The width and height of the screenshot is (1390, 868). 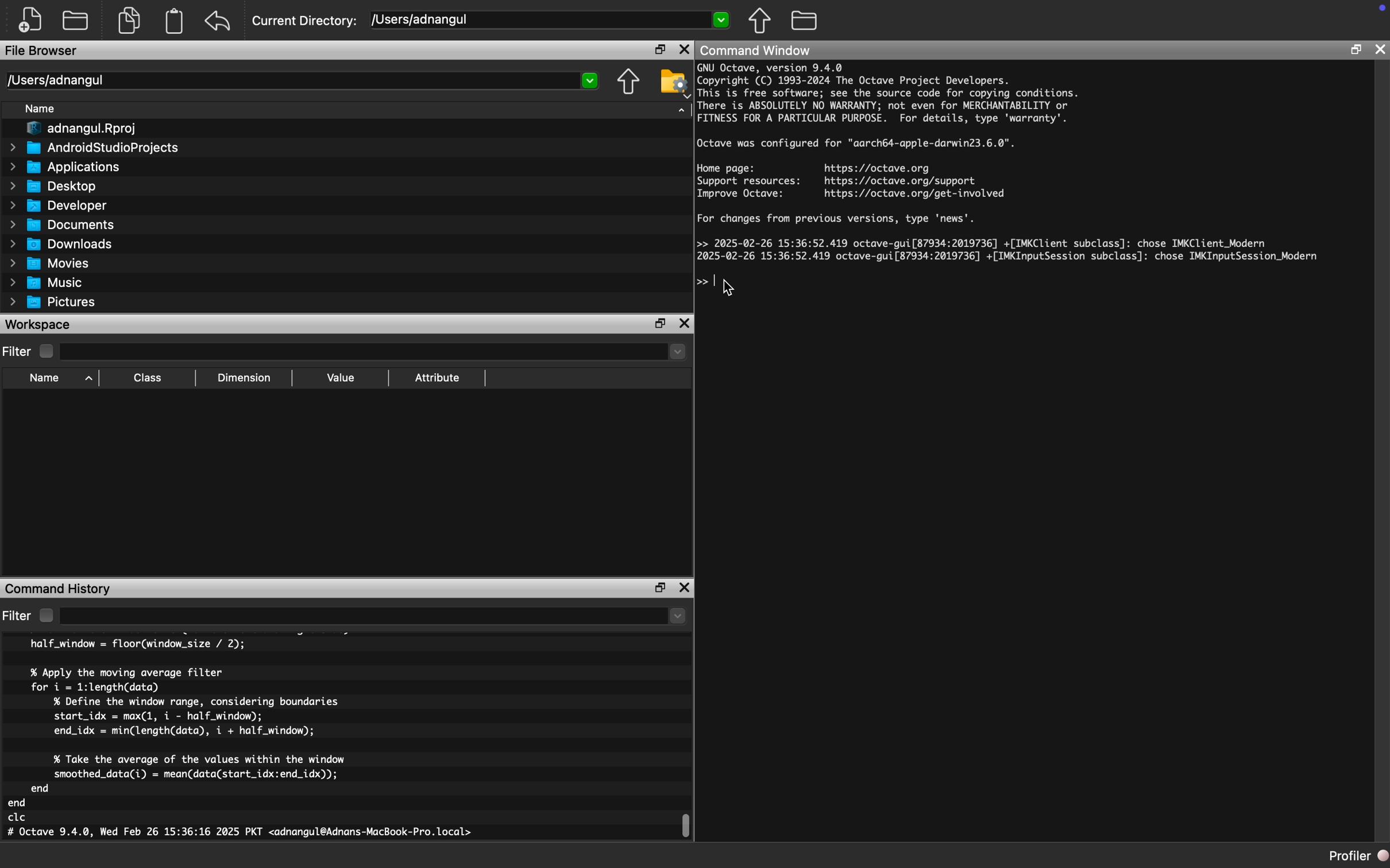 What do you see at coordinates (307, 22) in the screenshot?
I see `Current Directory:` at bounding box center [307, 22].